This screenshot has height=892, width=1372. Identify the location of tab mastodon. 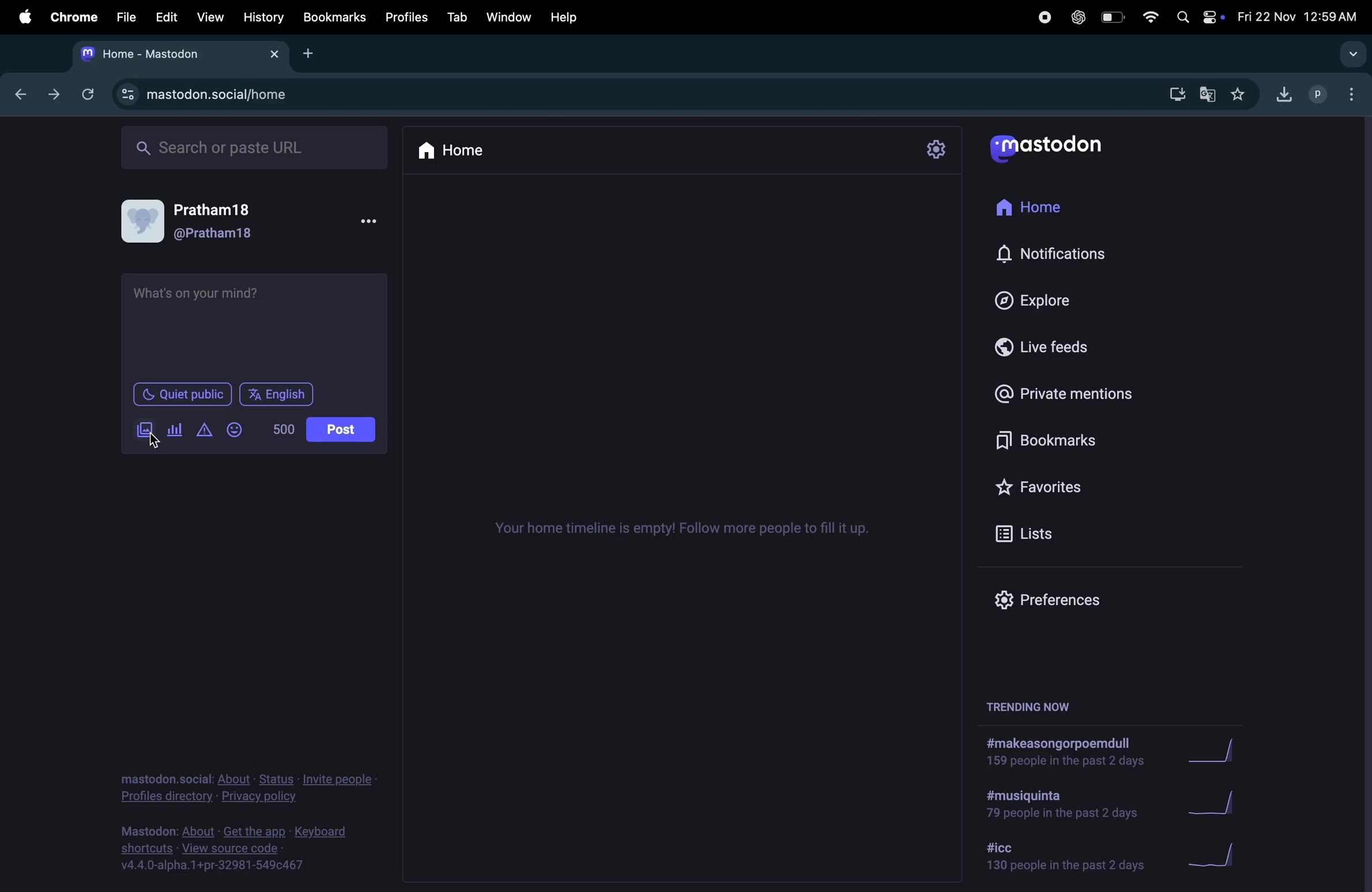
(165, 54).